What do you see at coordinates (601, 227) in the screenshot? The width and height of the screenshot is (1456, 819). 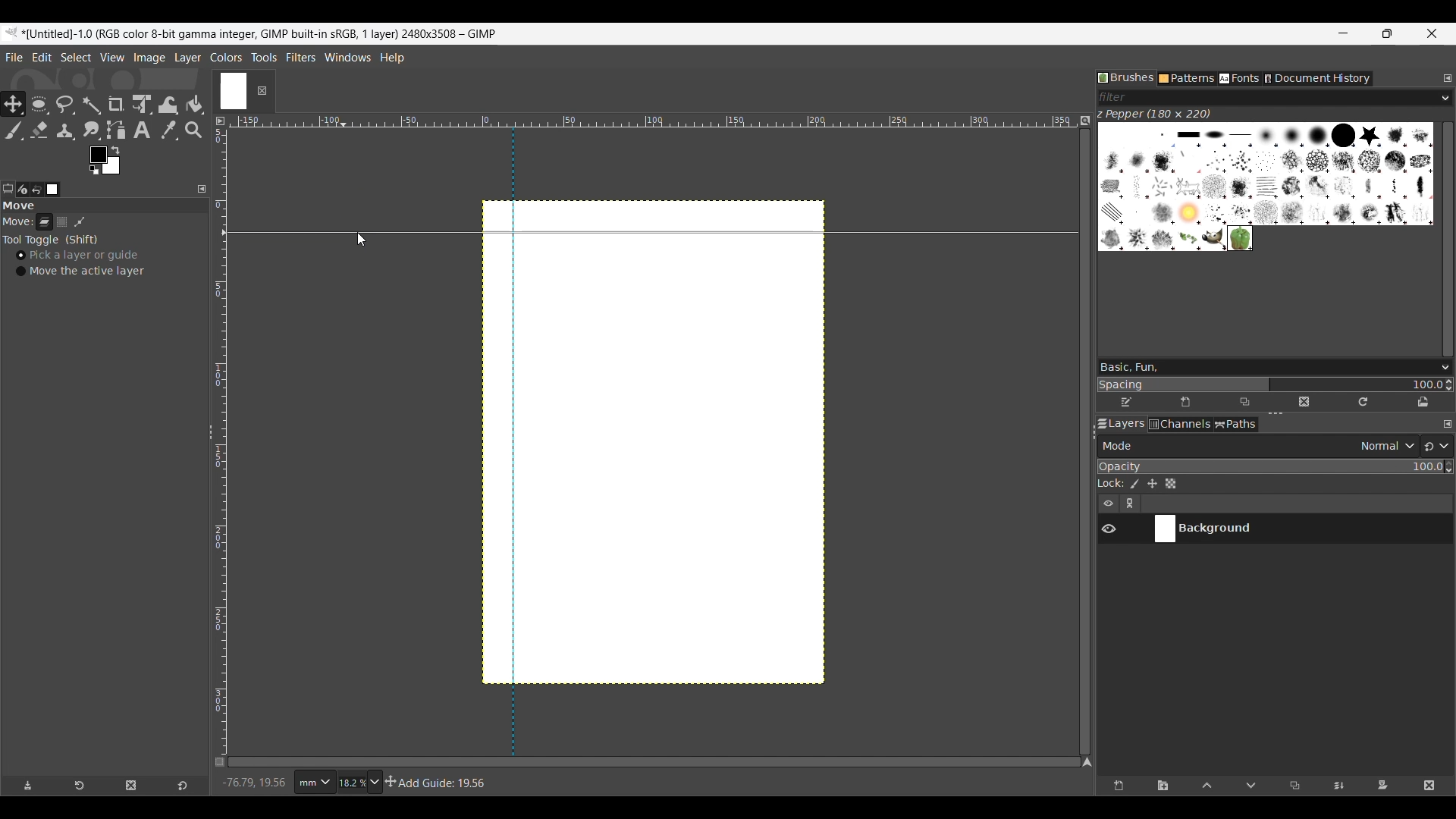 I see `Horizontal guideline dragged on to canvas` at bounding box center [601, 227].